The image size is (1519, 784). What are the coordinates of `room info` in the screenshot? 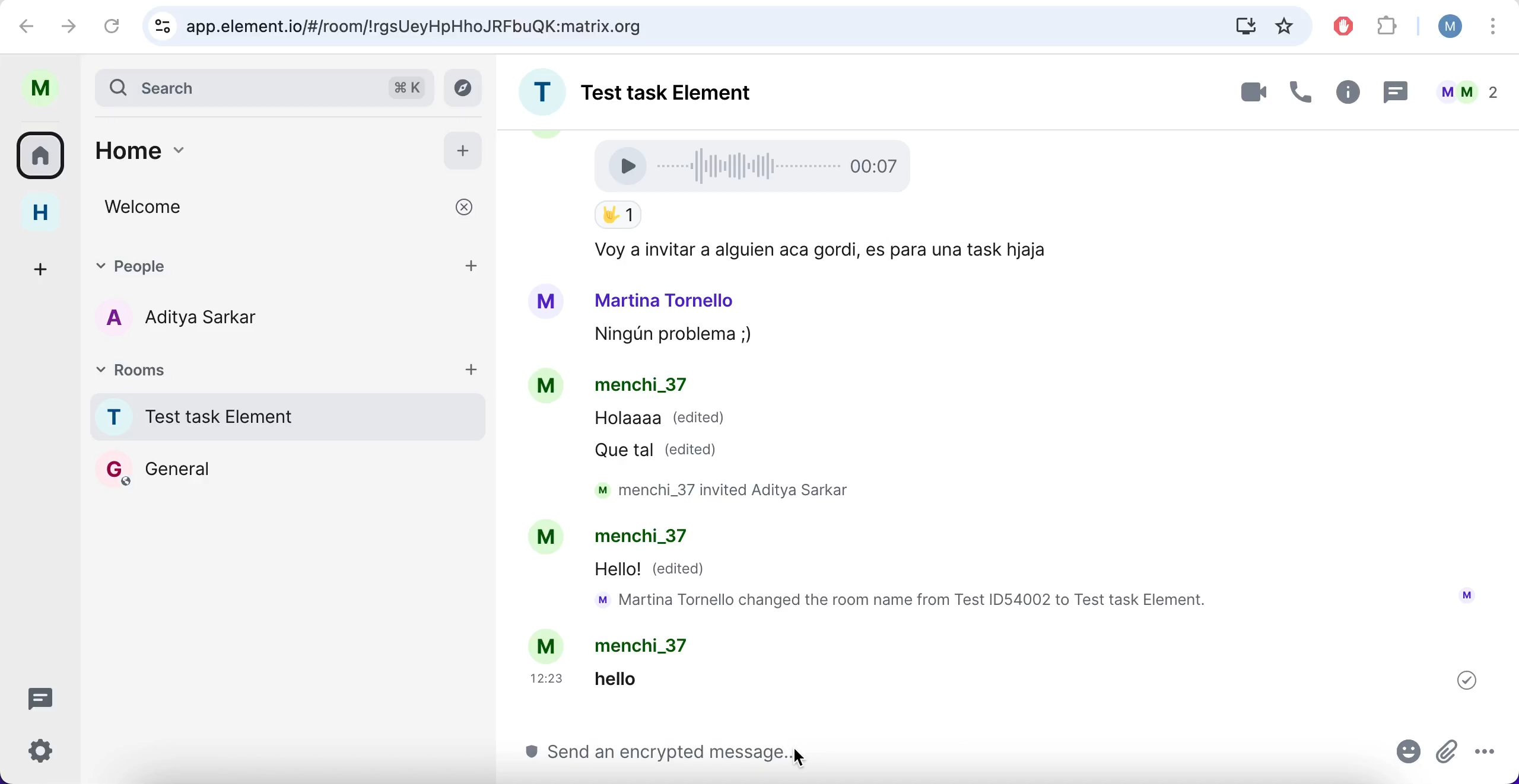 It's located at (1345, 94).